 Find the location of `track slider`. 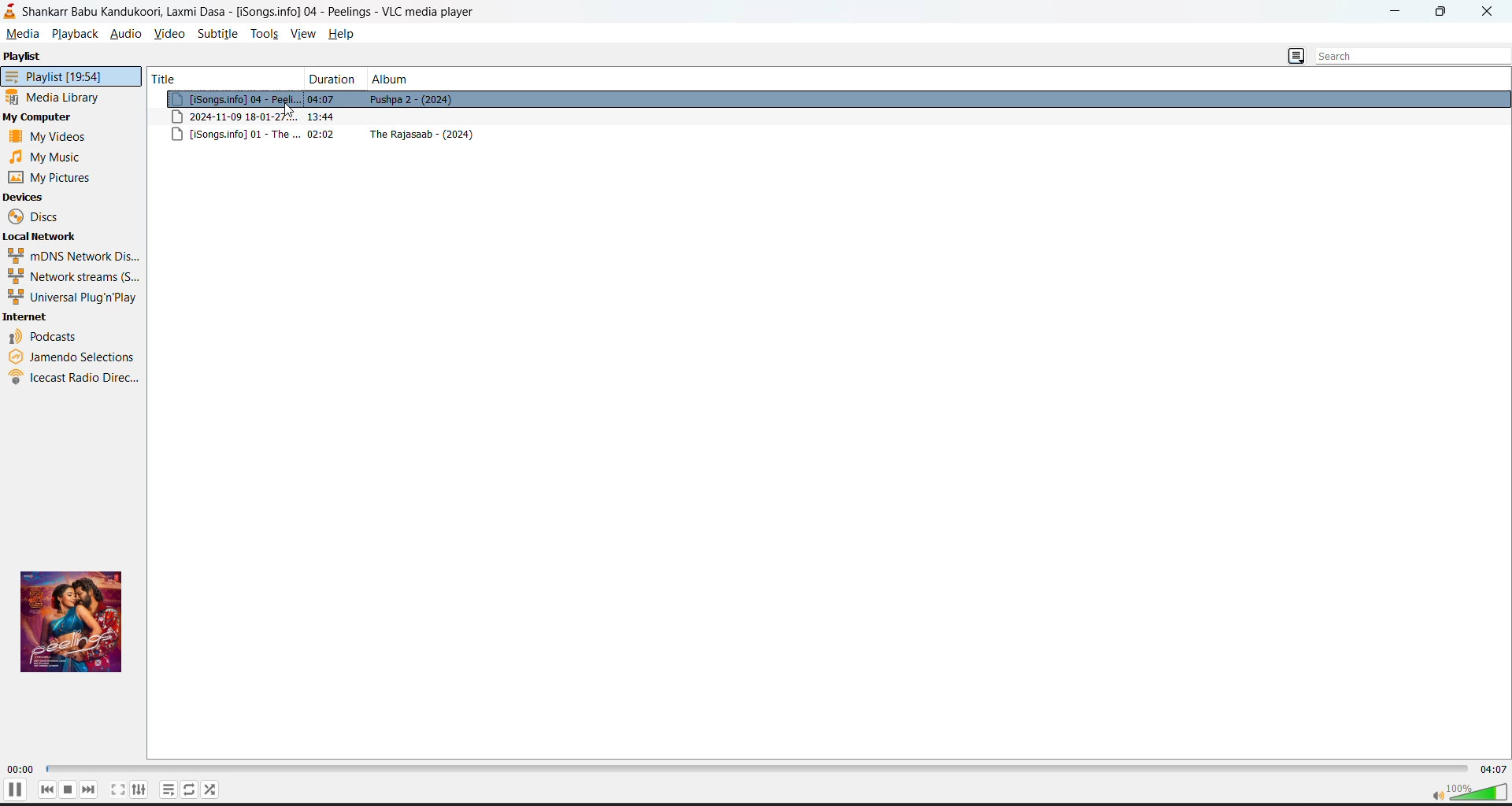

track slider is located at coordinates (754, 771).